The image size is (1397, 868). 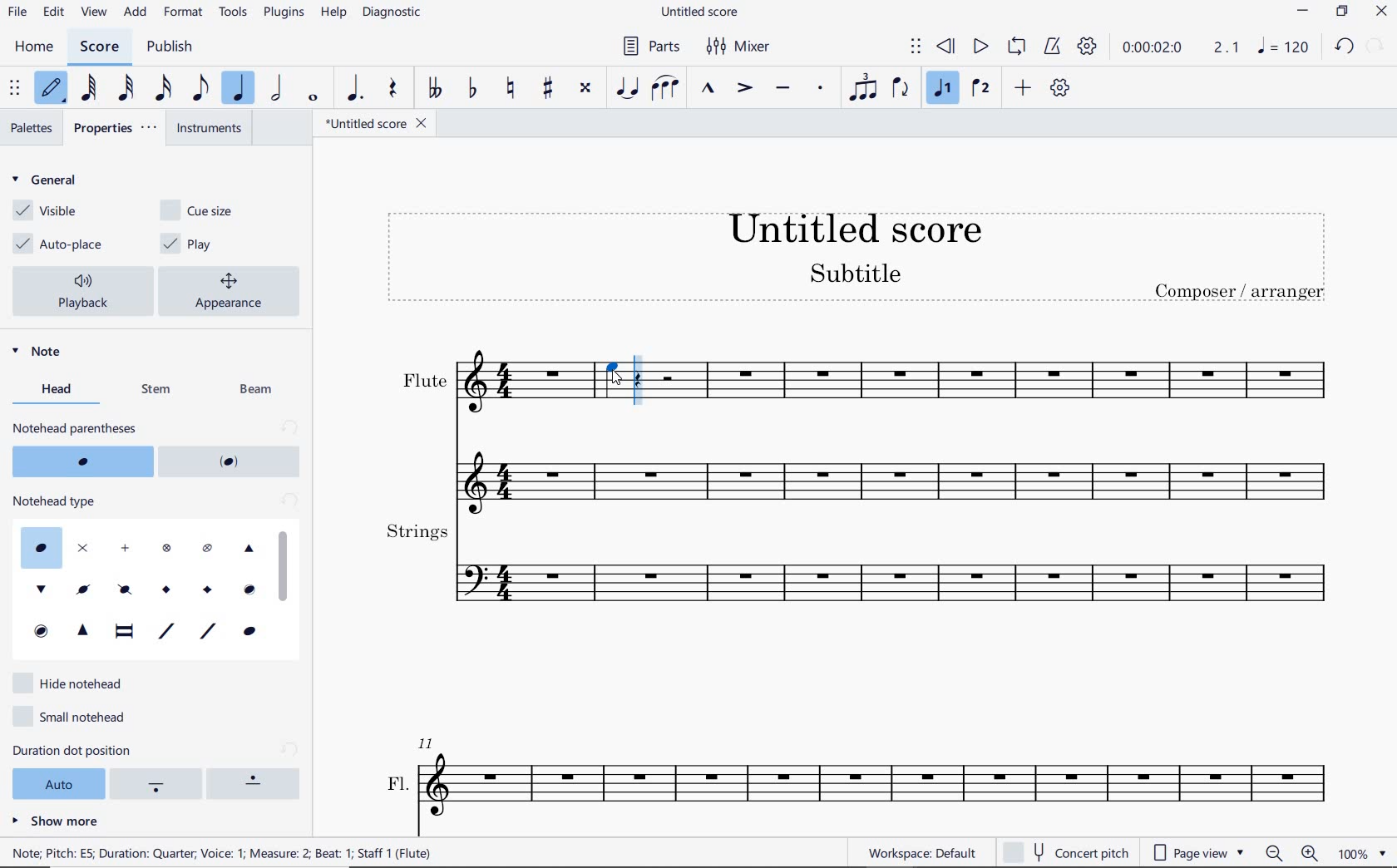 I want to click on MARCATO, so click(x=708, y=90).